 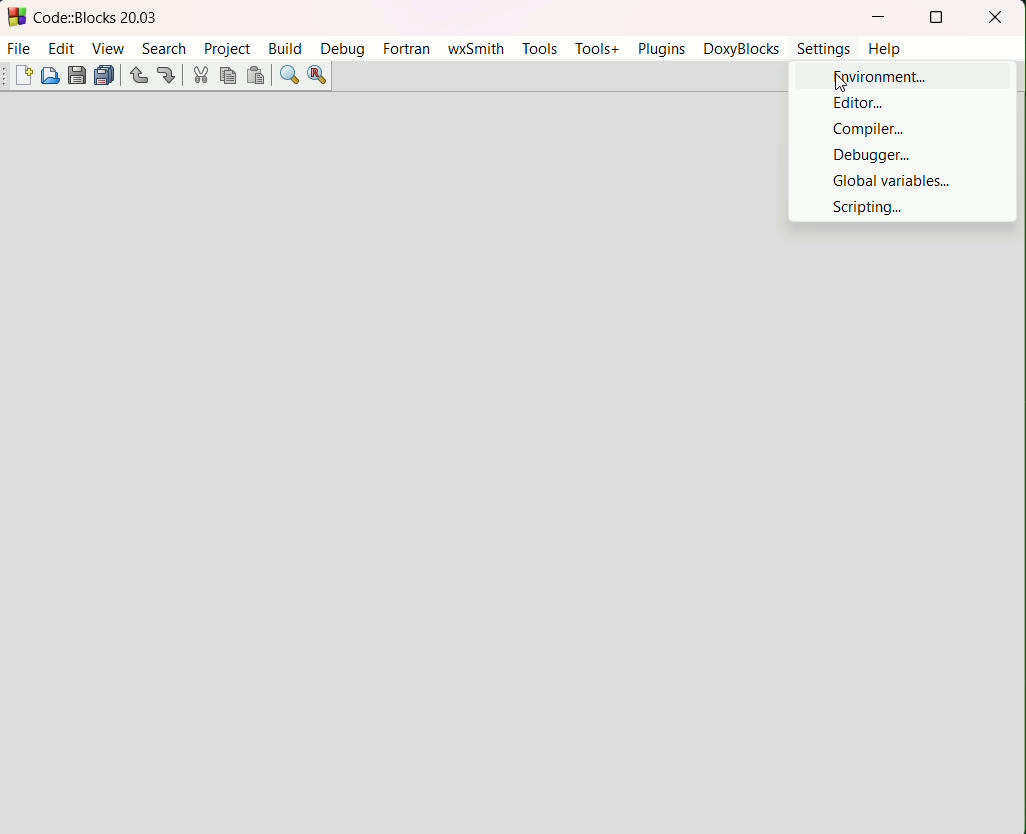 What do you see at coordinates (254, 77) in the screenshot?
I see `paste` at bounding box center [254, 77].